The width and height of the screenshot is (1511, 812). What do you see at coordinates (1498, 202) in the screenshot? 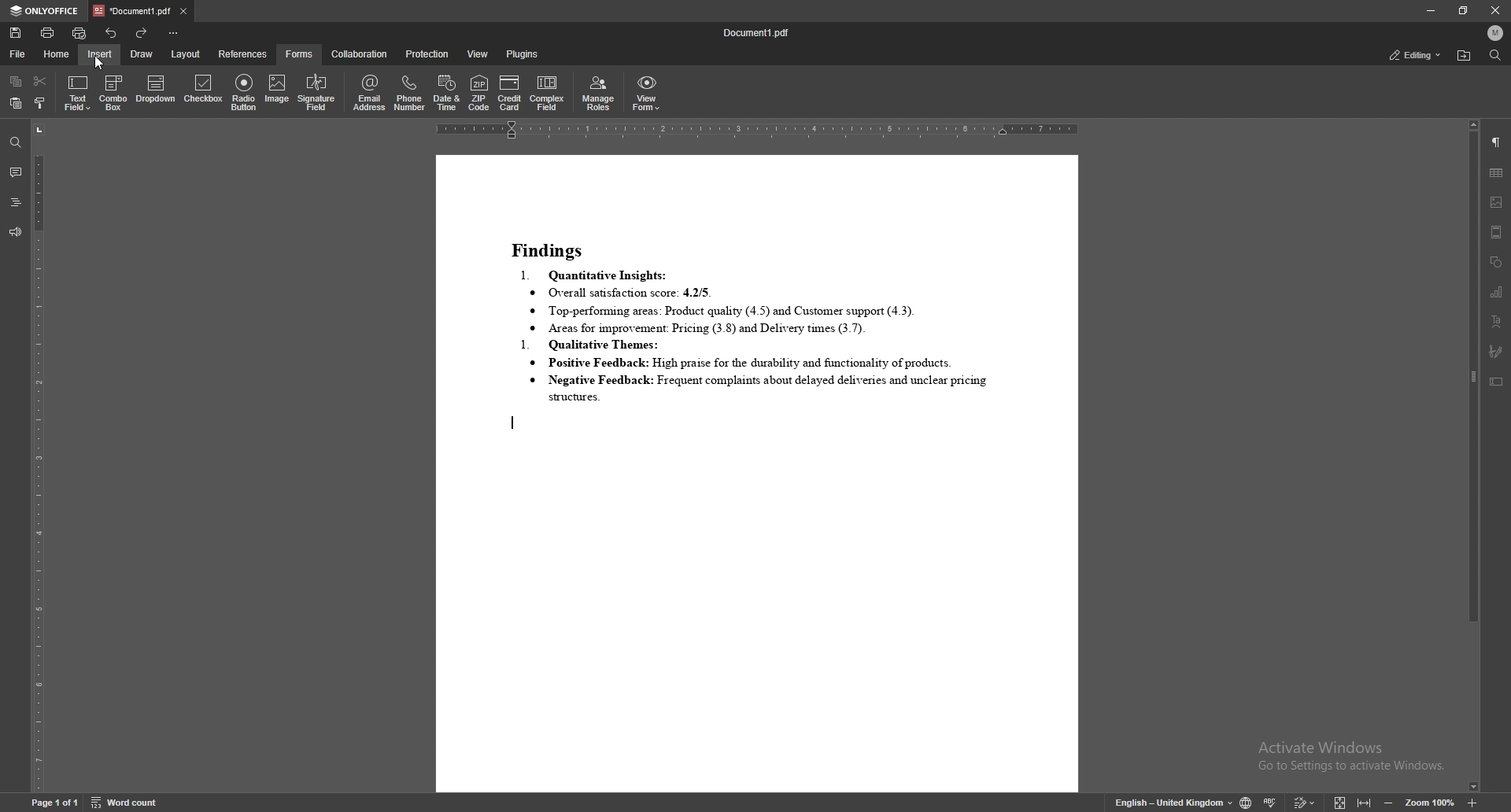
I see `image` at bounding box center [1498, 202].